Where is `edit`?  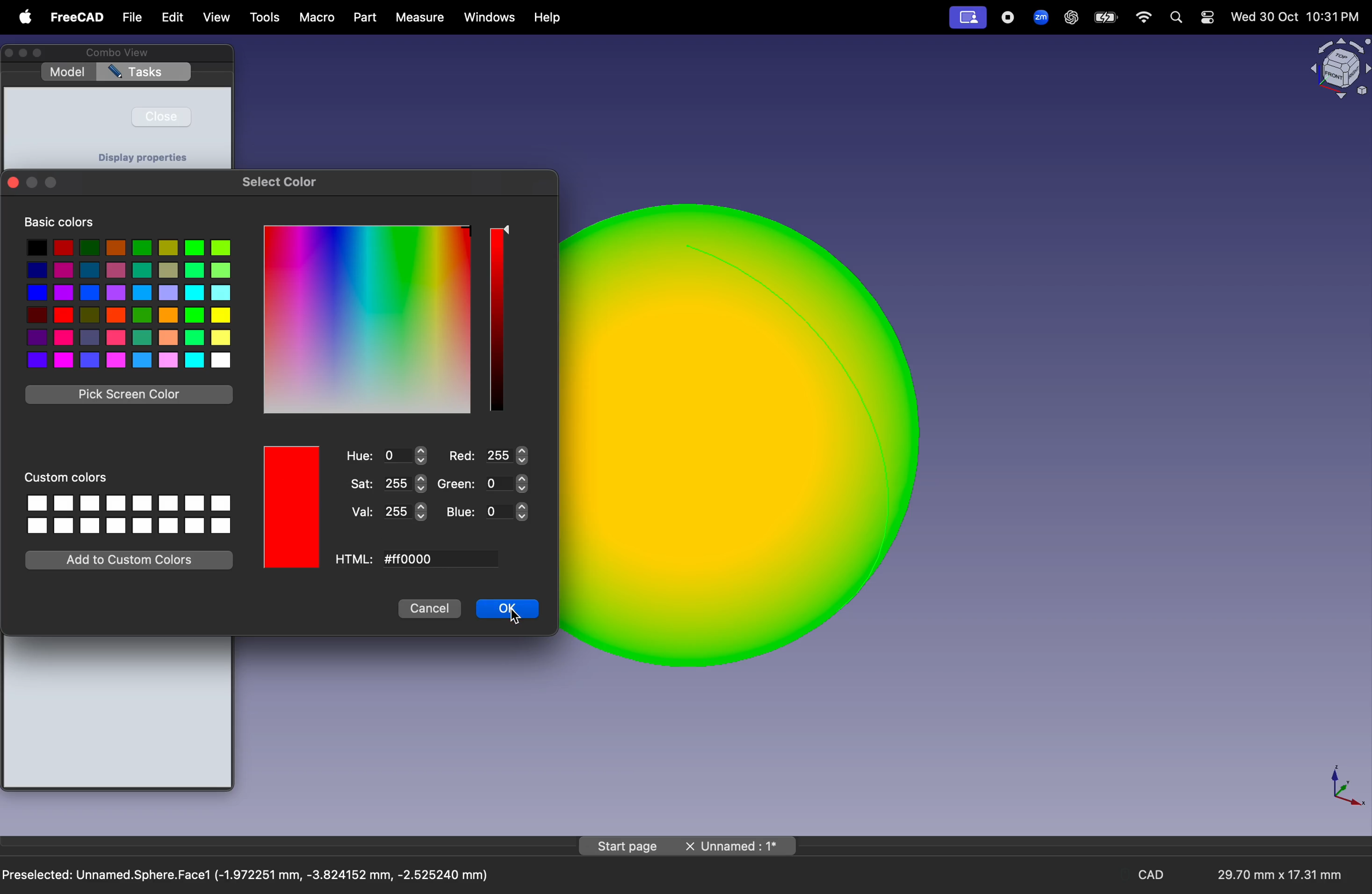 edit is located at coordinates (170, 17).